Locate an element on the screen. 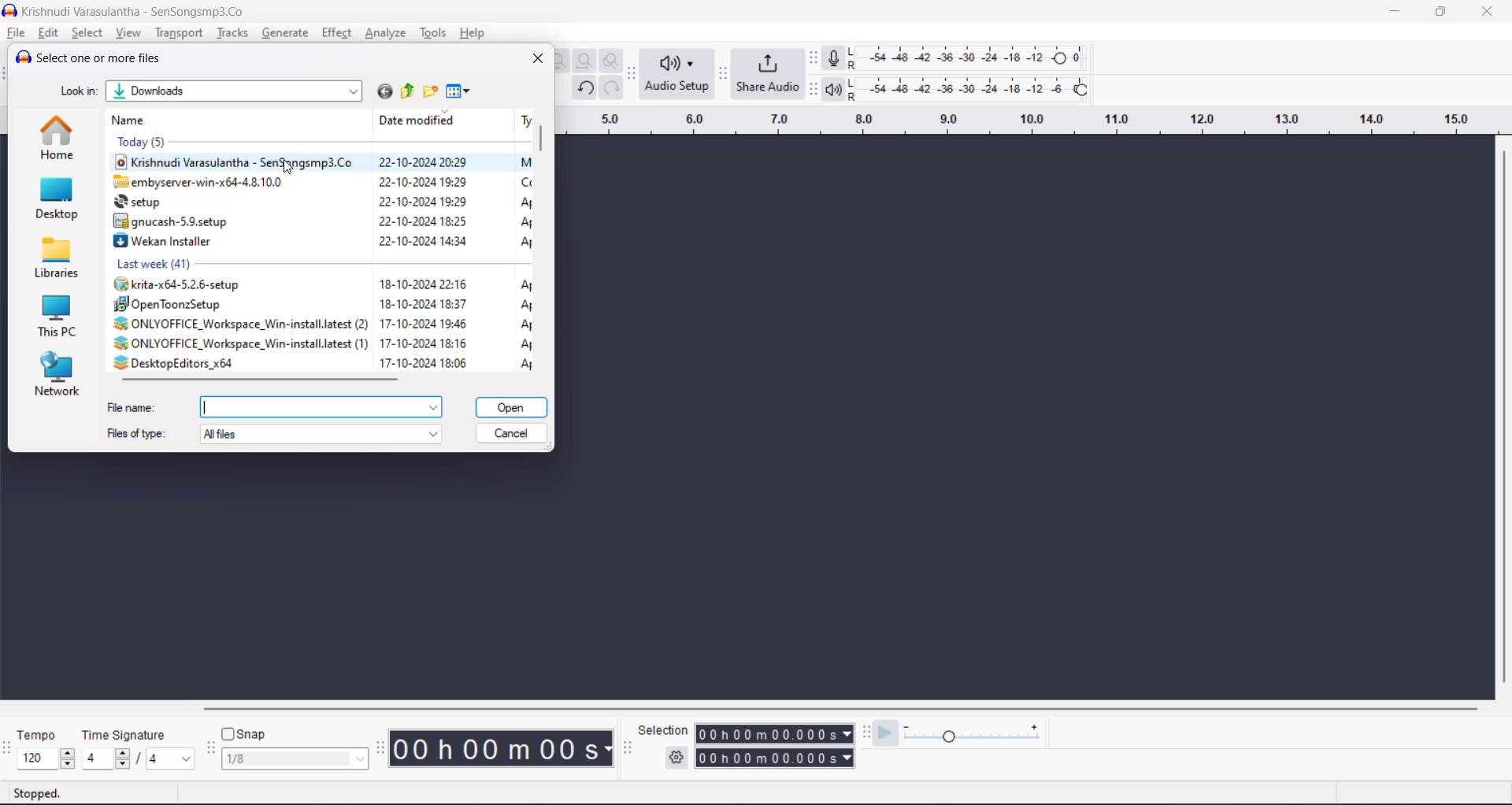 The image size is (1512, 805). © Krishnudi Varasulantha - SenSongsmp3.Co 22-10-2024 20:29 M is located at coordinates (322, 162).